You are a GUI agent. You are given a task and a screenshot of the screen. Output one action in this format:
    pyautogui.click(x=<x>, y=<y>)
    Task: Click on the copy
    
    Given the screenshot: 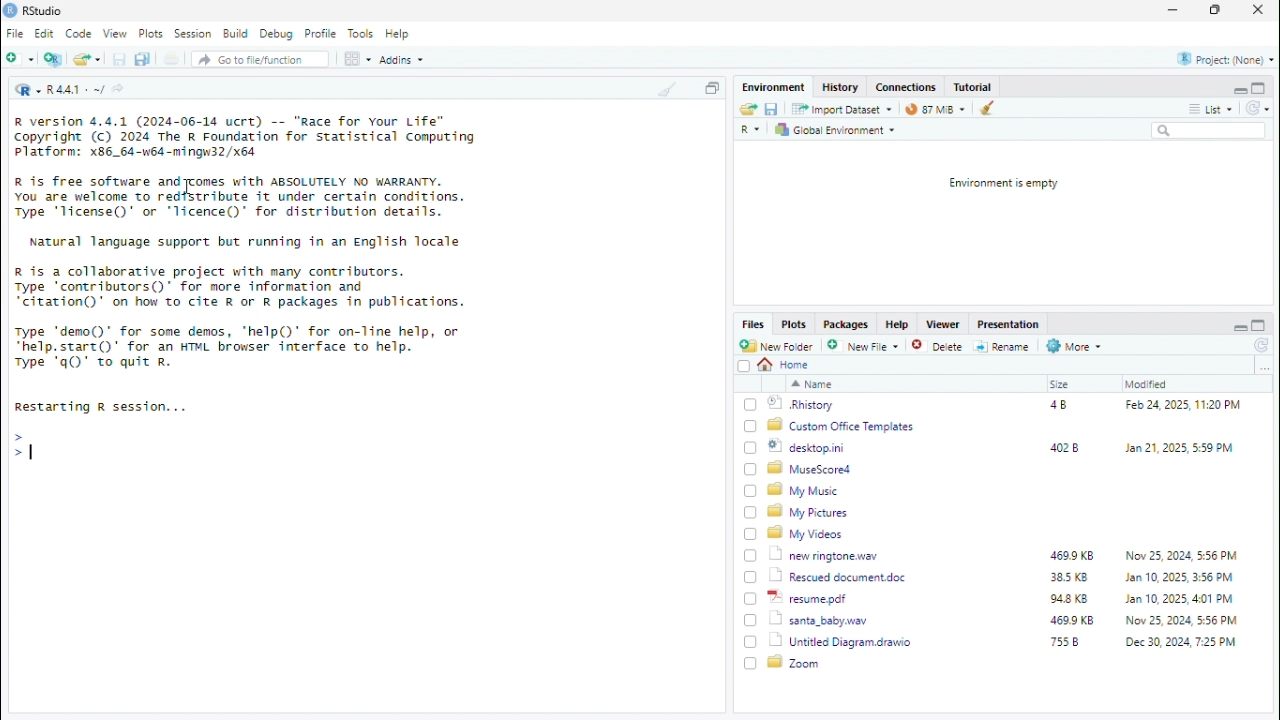 What is the action you would take?
    pyautogui.click(x=711, y=88)
    